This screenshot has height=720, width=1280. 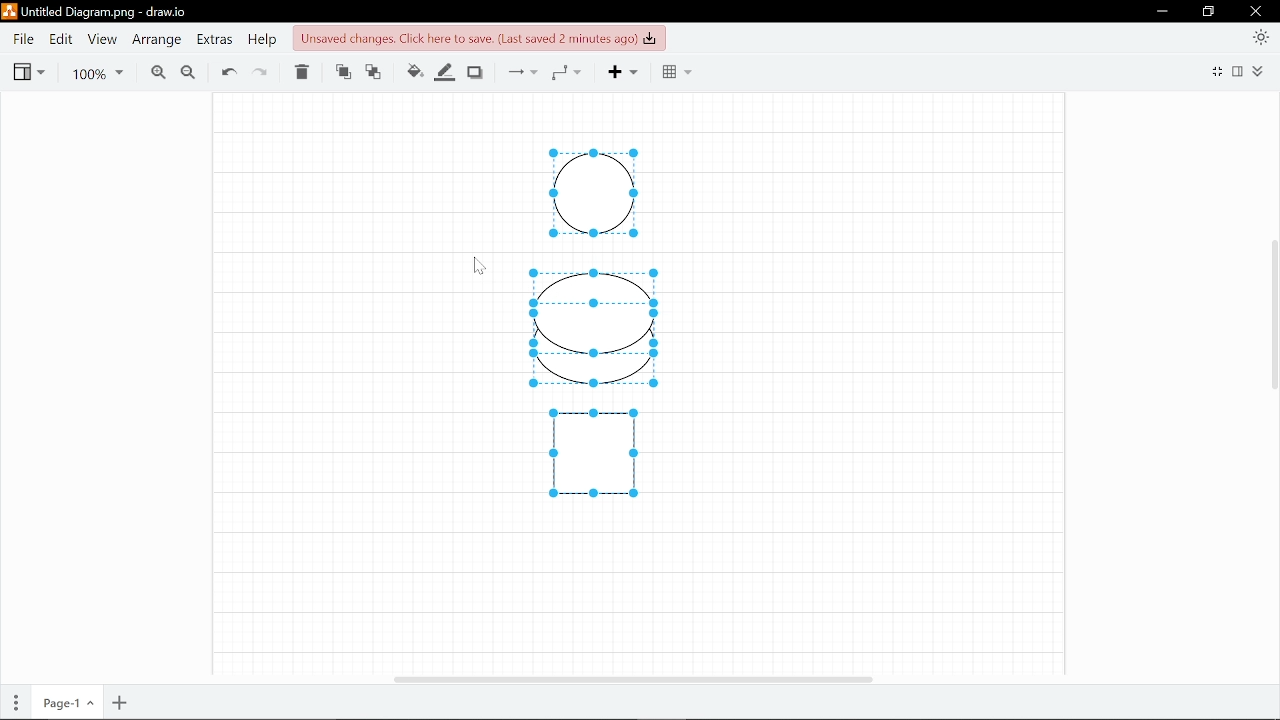 What do you see at coordinates (1261, 71) in the screenshot?
I see `Collapse/expand` at bounding box center [1261, 71].